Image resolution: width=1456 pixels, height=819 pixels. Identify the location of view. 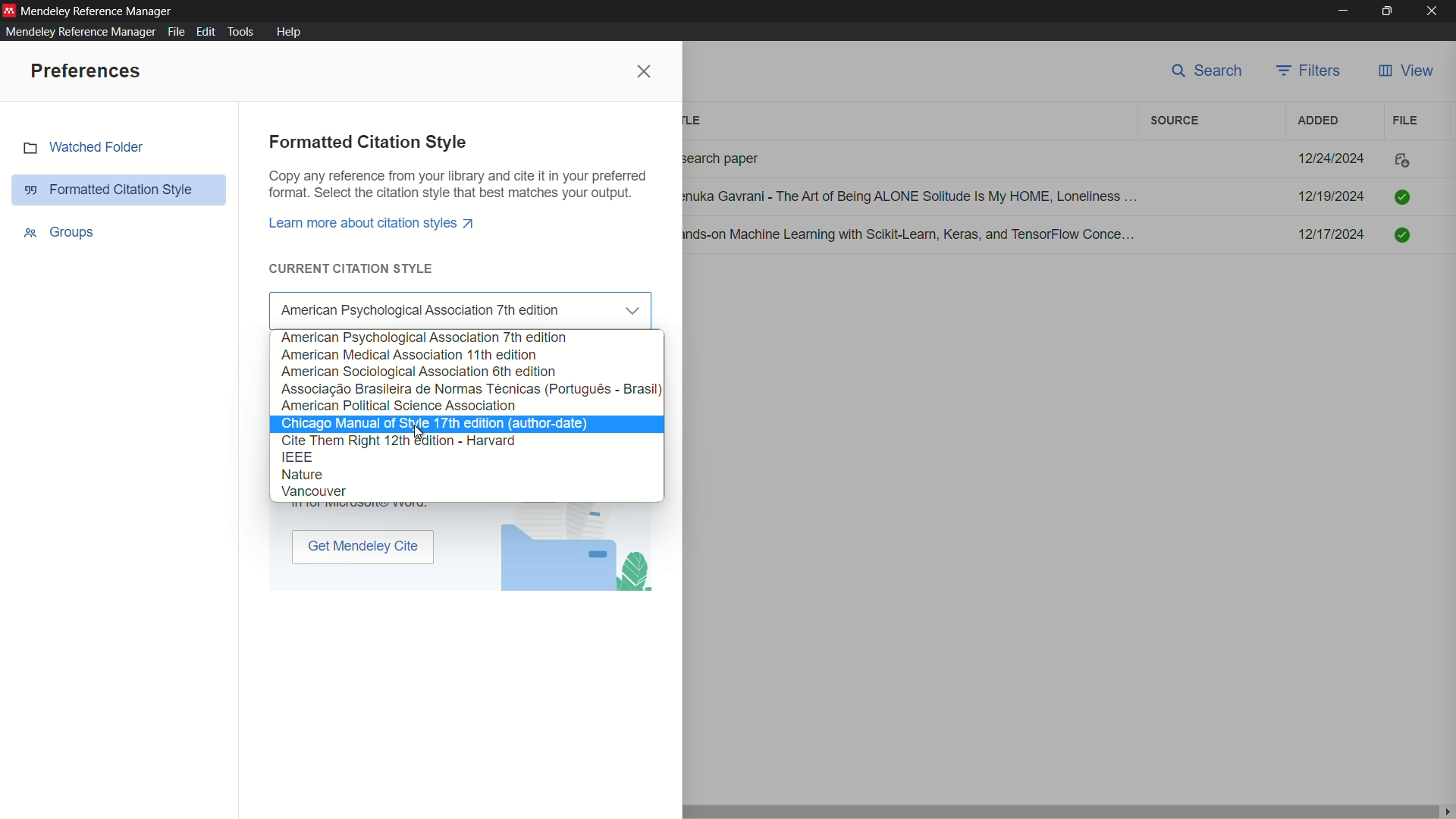
(1405, 71).